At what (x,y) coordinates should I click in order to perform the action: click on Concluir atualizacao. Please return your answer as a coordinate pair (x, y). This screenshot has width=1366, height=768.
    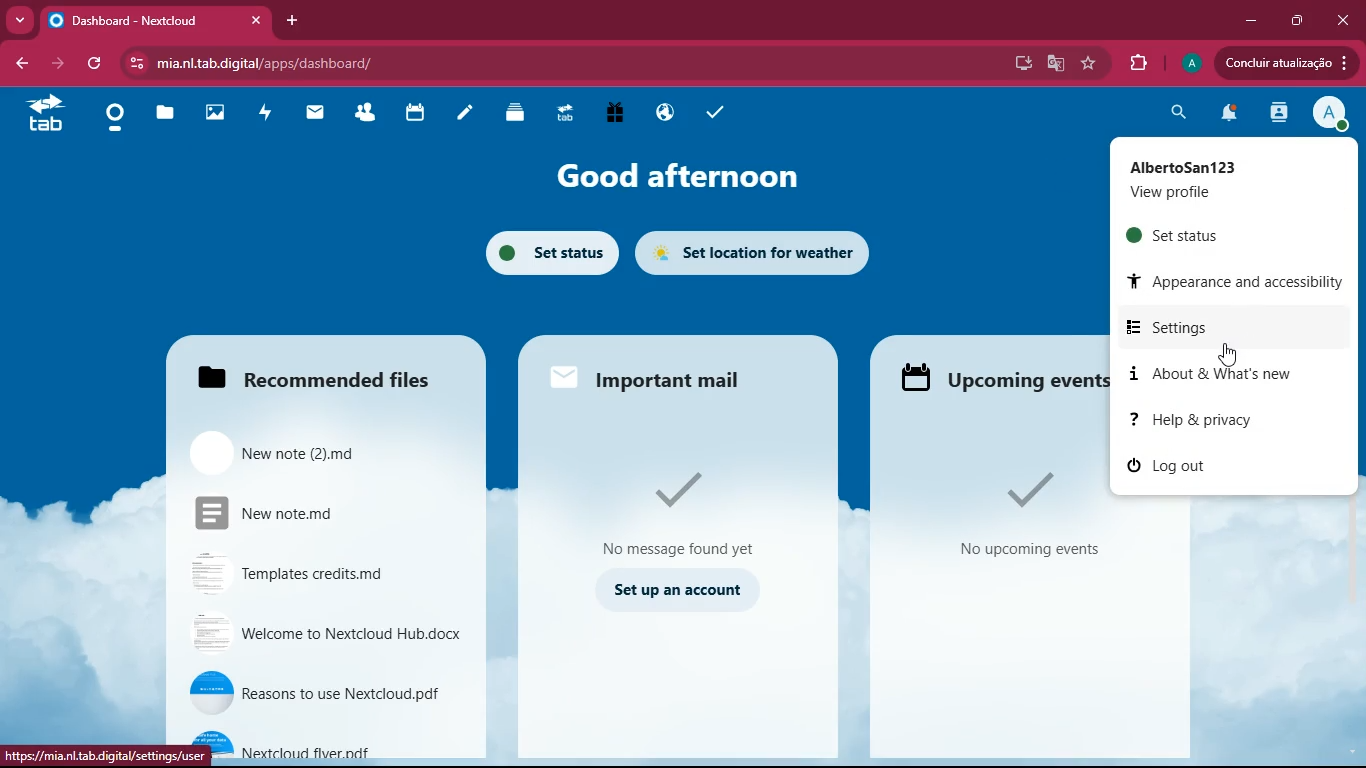
    Looking at the image, I should click on (1290, 63).